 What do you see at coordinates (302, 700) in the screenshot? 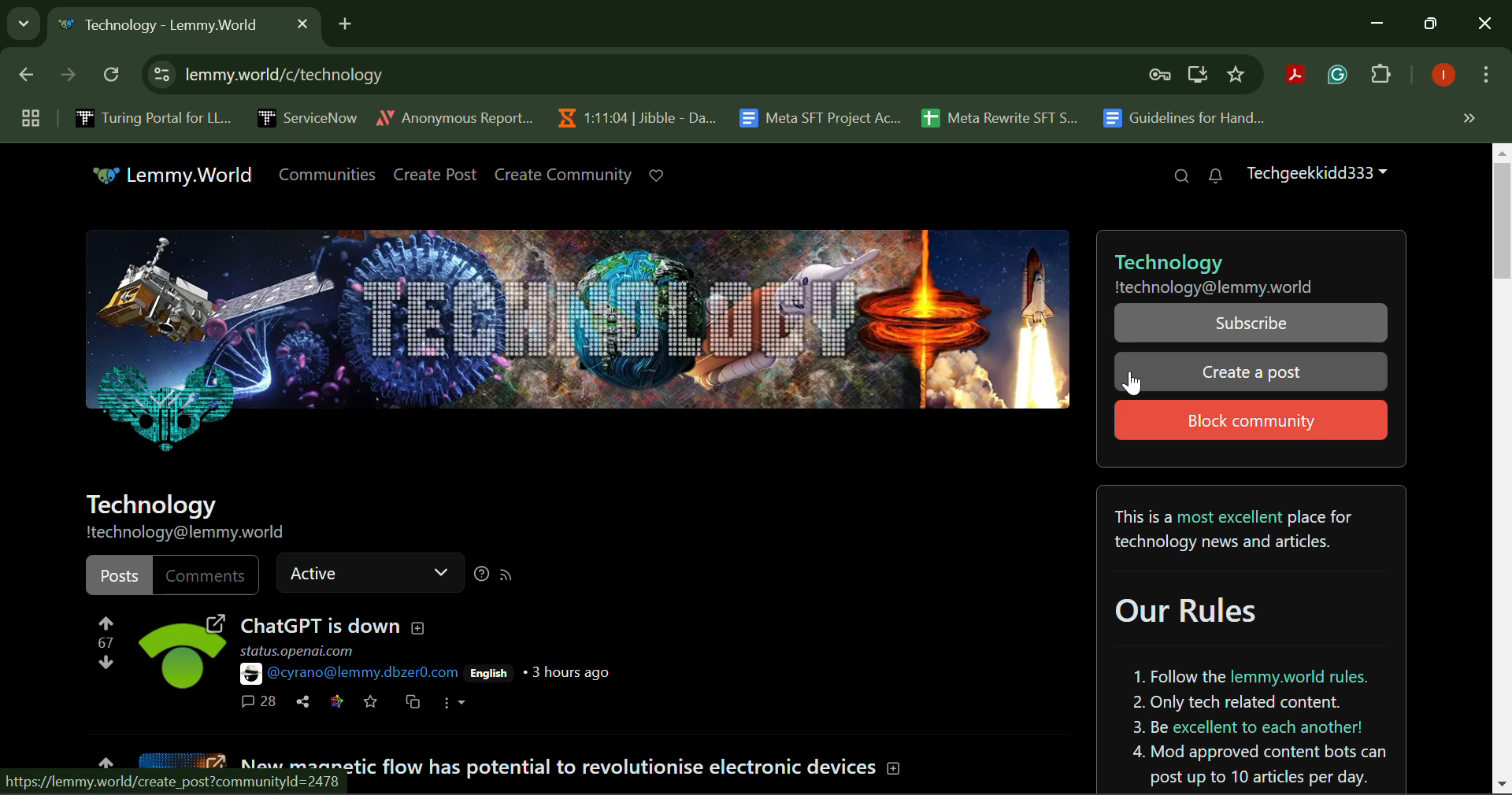
I see `Share` at bounding box center [302, 700].